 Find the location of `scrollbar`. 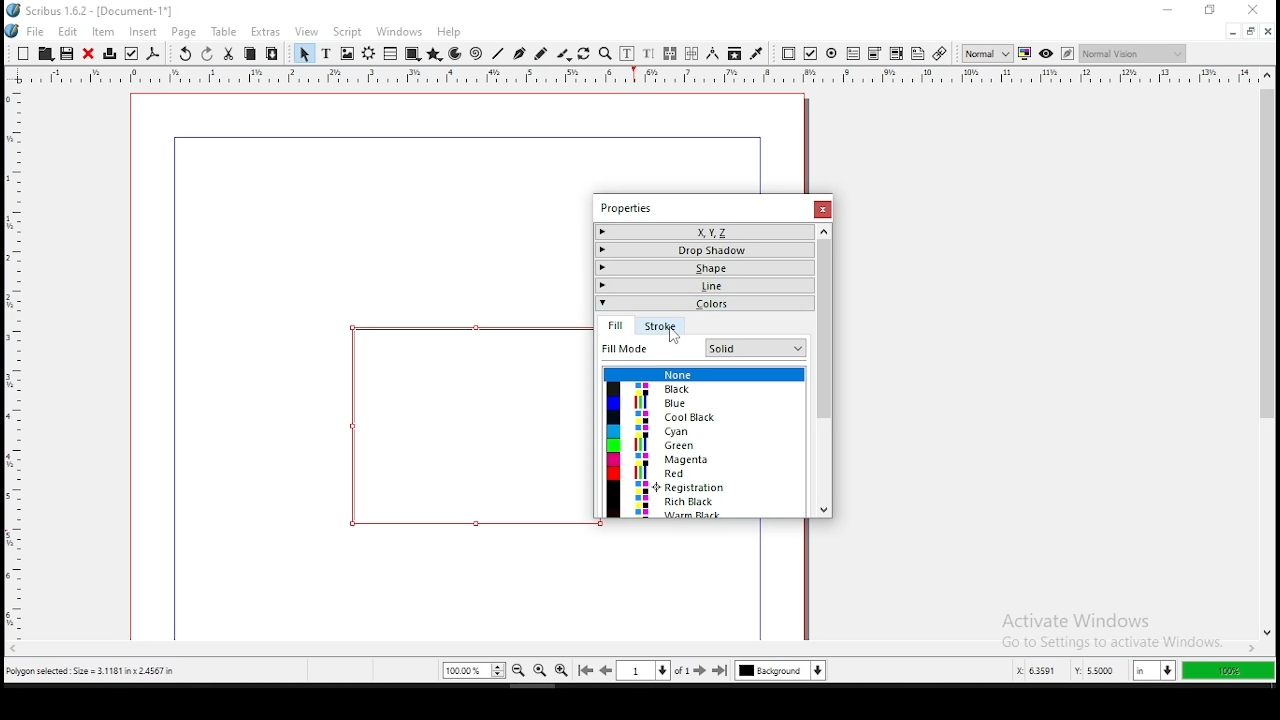

scrollbar is located at coordinates (808, 581).